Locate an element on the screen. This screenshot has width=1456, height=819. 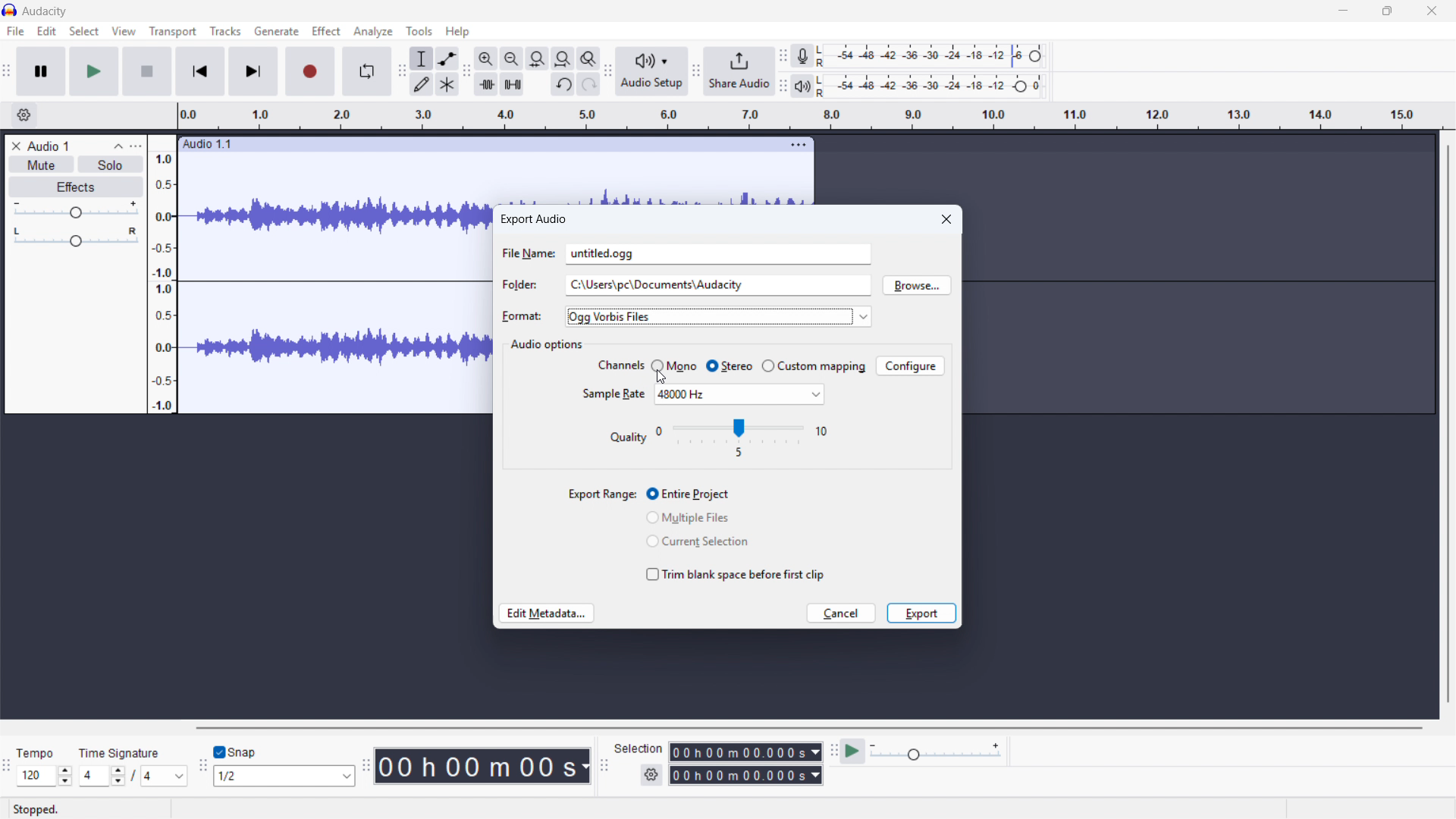
Export  is located at coordinates (921, 614).